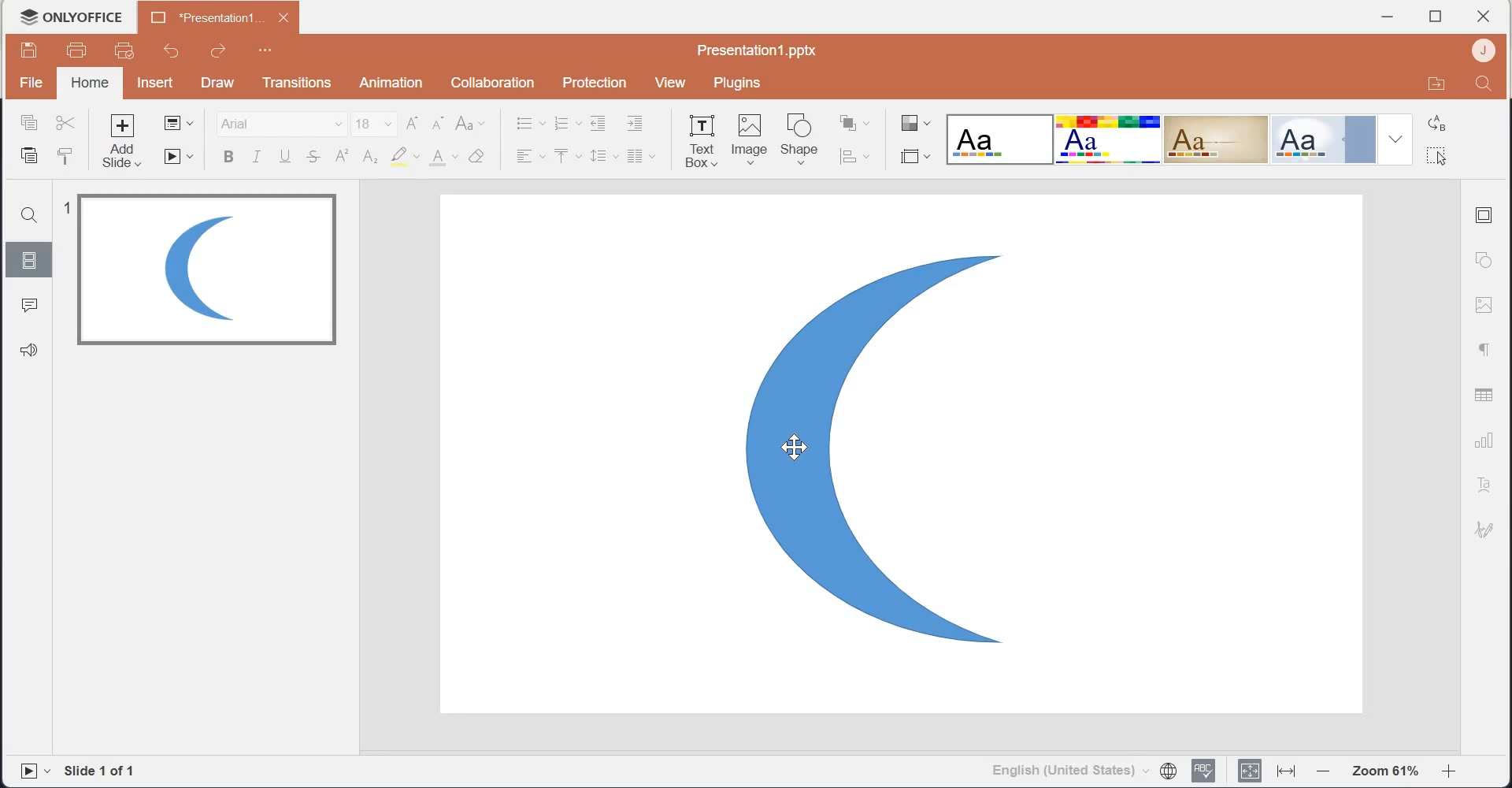 The height and width of the screenshot is (788, 1512). What do you see at coordinates (170, 52) in the screenshot?
I see `Undo` at bounding box center [170, 52].